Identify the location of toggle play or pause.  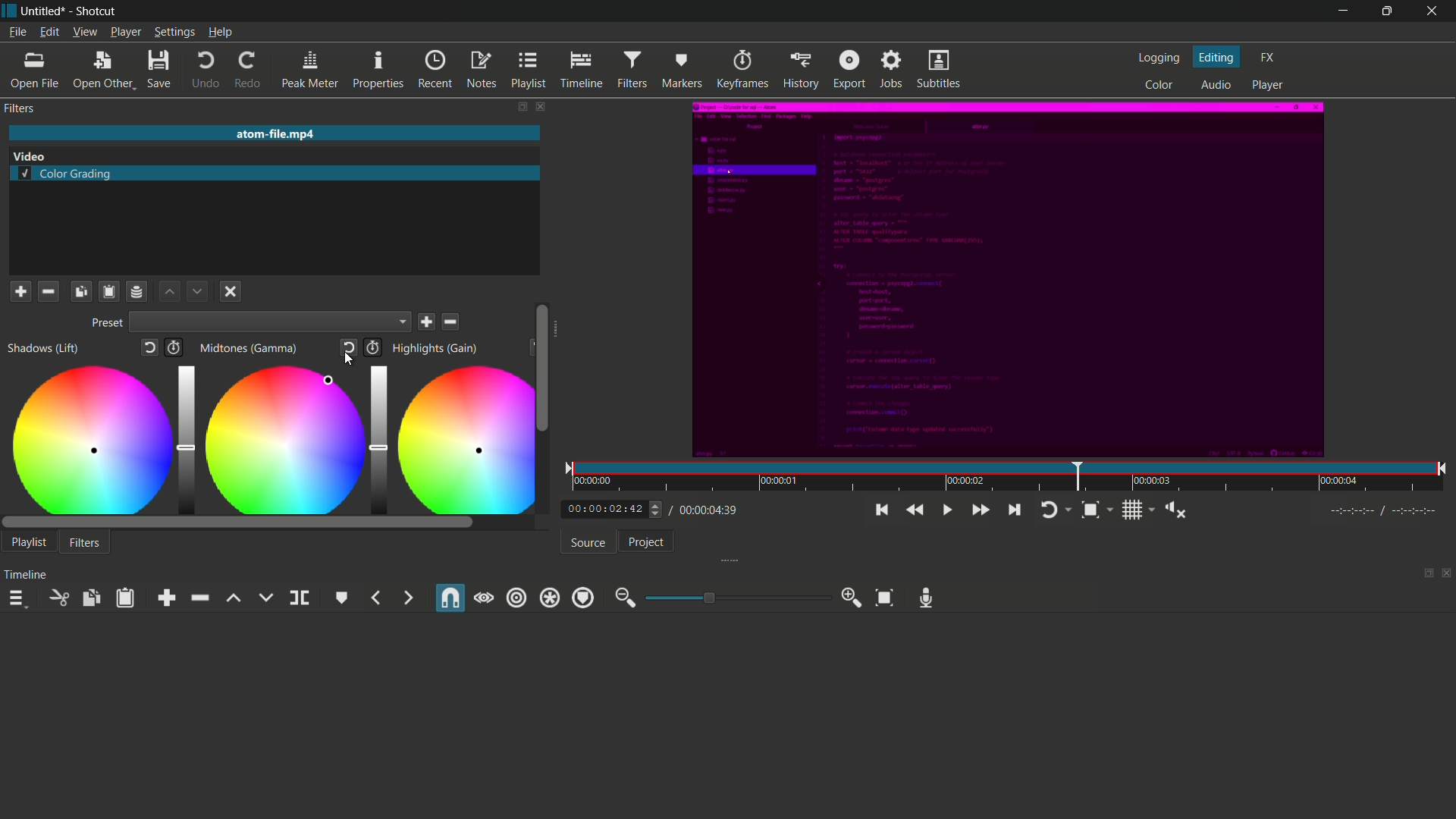
(948, 510).